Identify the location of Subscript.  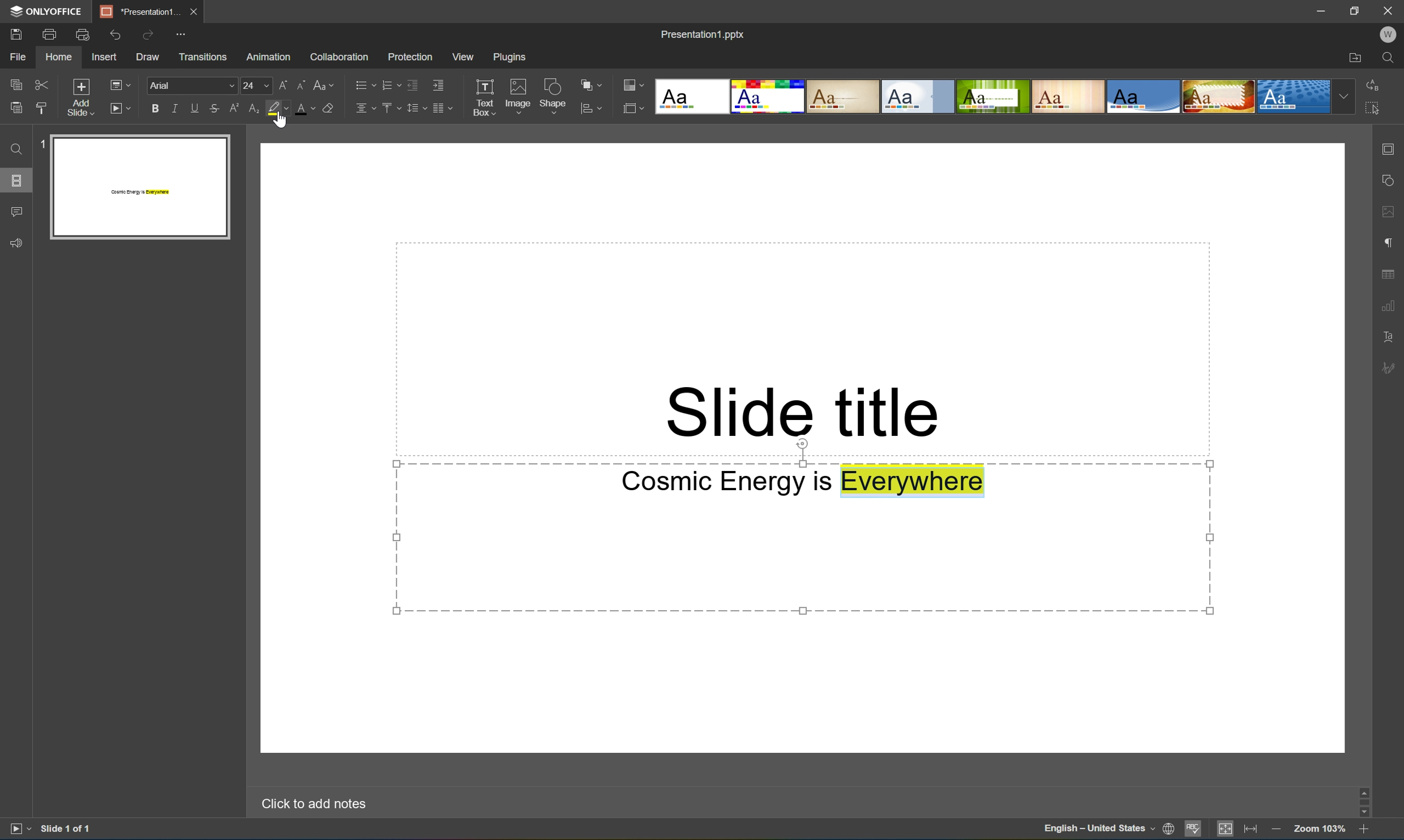
(255, 107).